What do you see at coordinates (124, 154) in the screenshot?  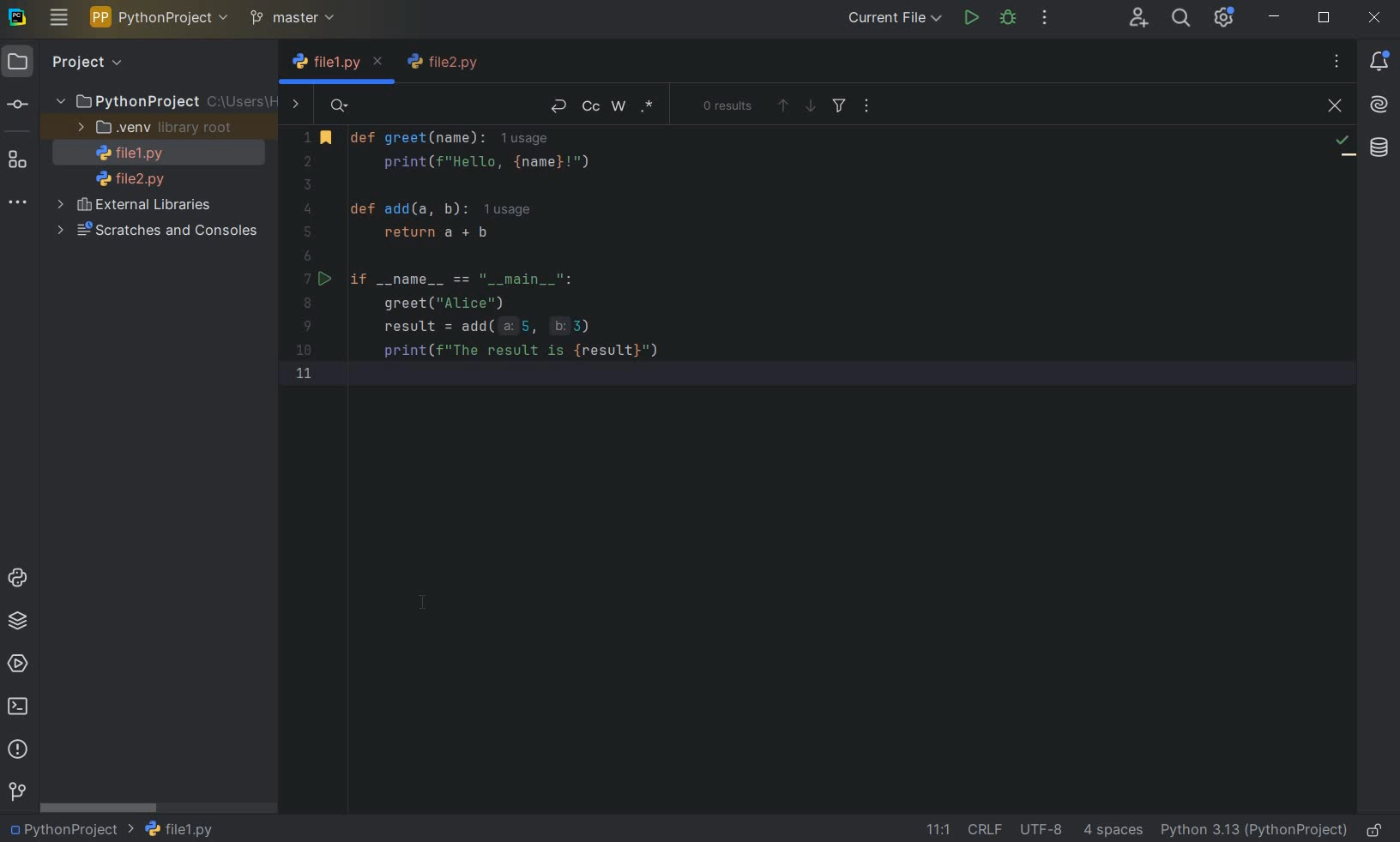 I see `FILE NAME 1` at bounding box center [124, 154].